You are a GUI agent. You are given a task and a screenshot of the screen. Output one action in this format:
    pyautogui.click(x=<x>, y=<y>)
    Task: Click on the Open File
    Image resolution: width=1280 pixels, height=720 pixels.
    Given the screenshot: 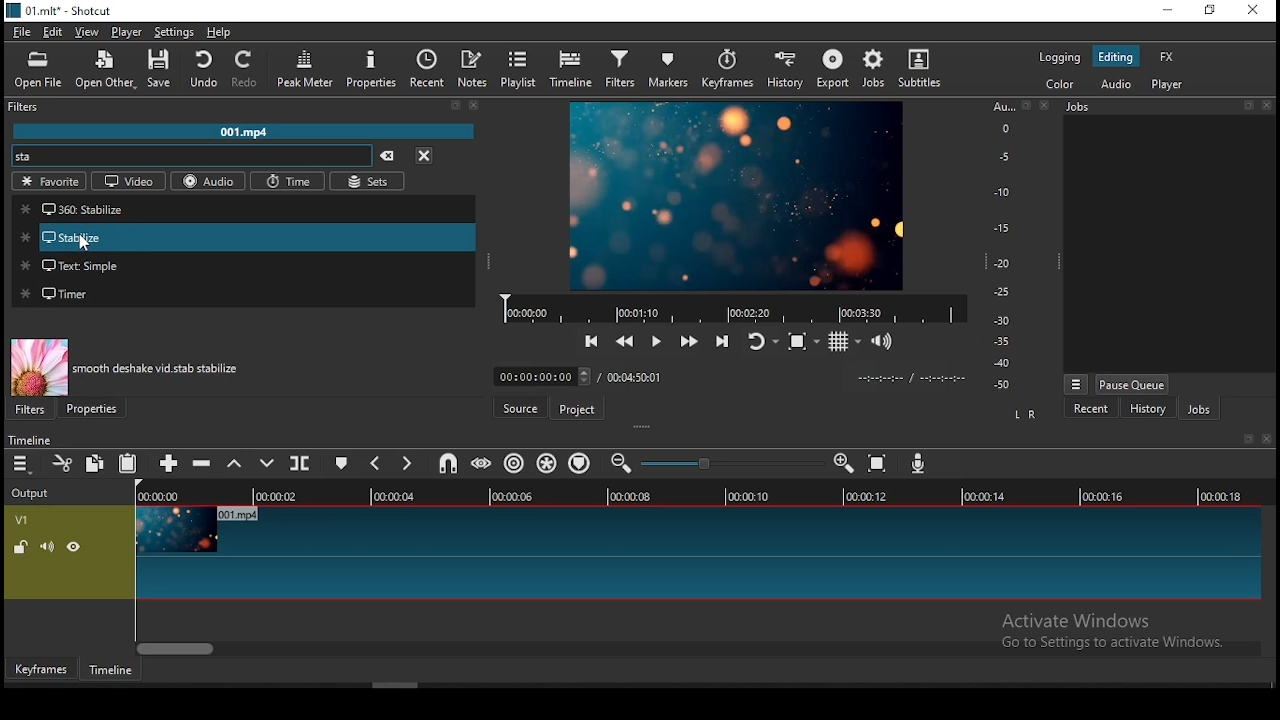 What is the action you would take?
    pyautogui.click(x=35, y=73)
    